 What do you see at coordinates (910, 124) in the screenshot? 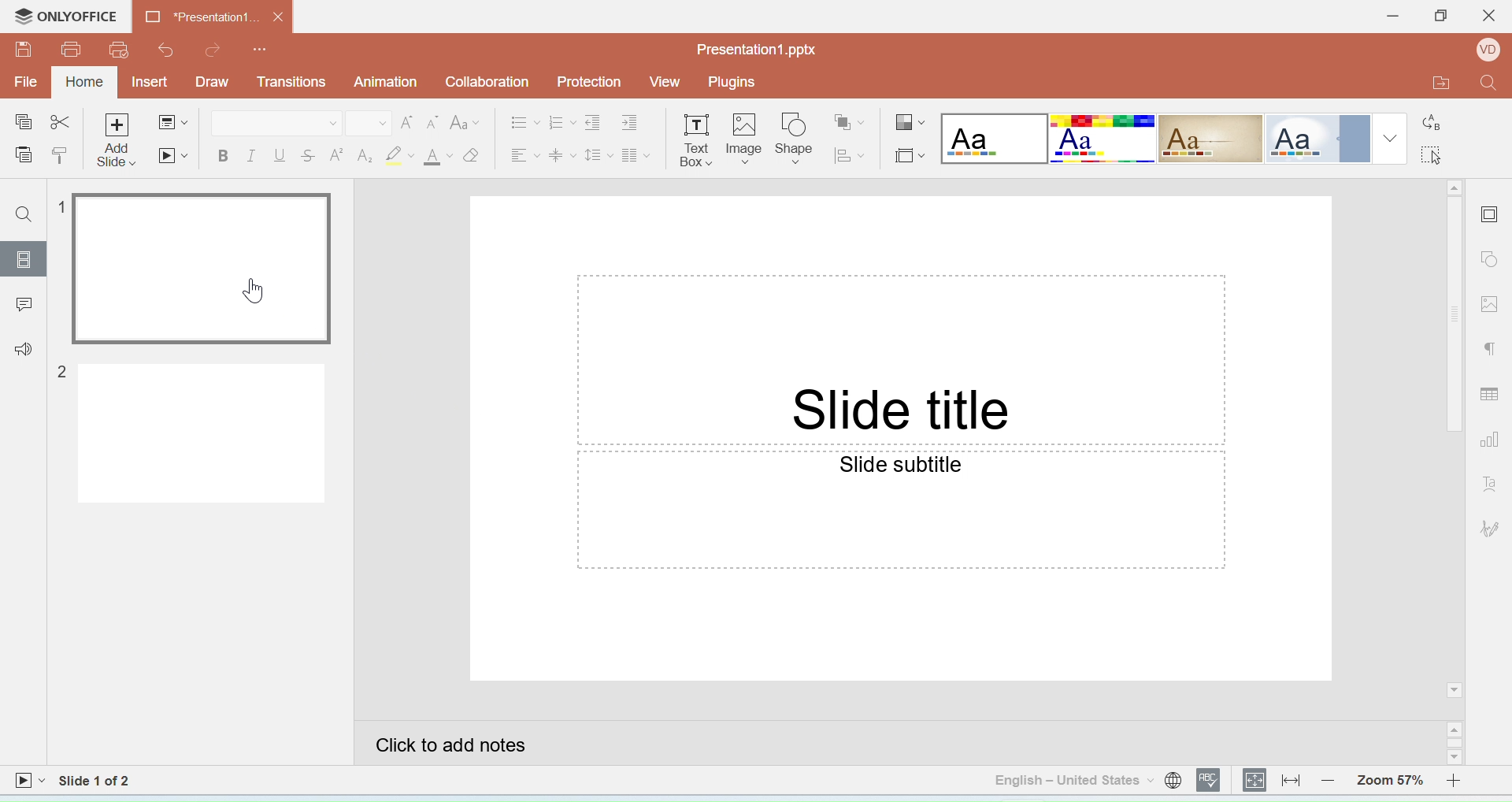
I see `Change color theme` at bounding box center [910, 124].